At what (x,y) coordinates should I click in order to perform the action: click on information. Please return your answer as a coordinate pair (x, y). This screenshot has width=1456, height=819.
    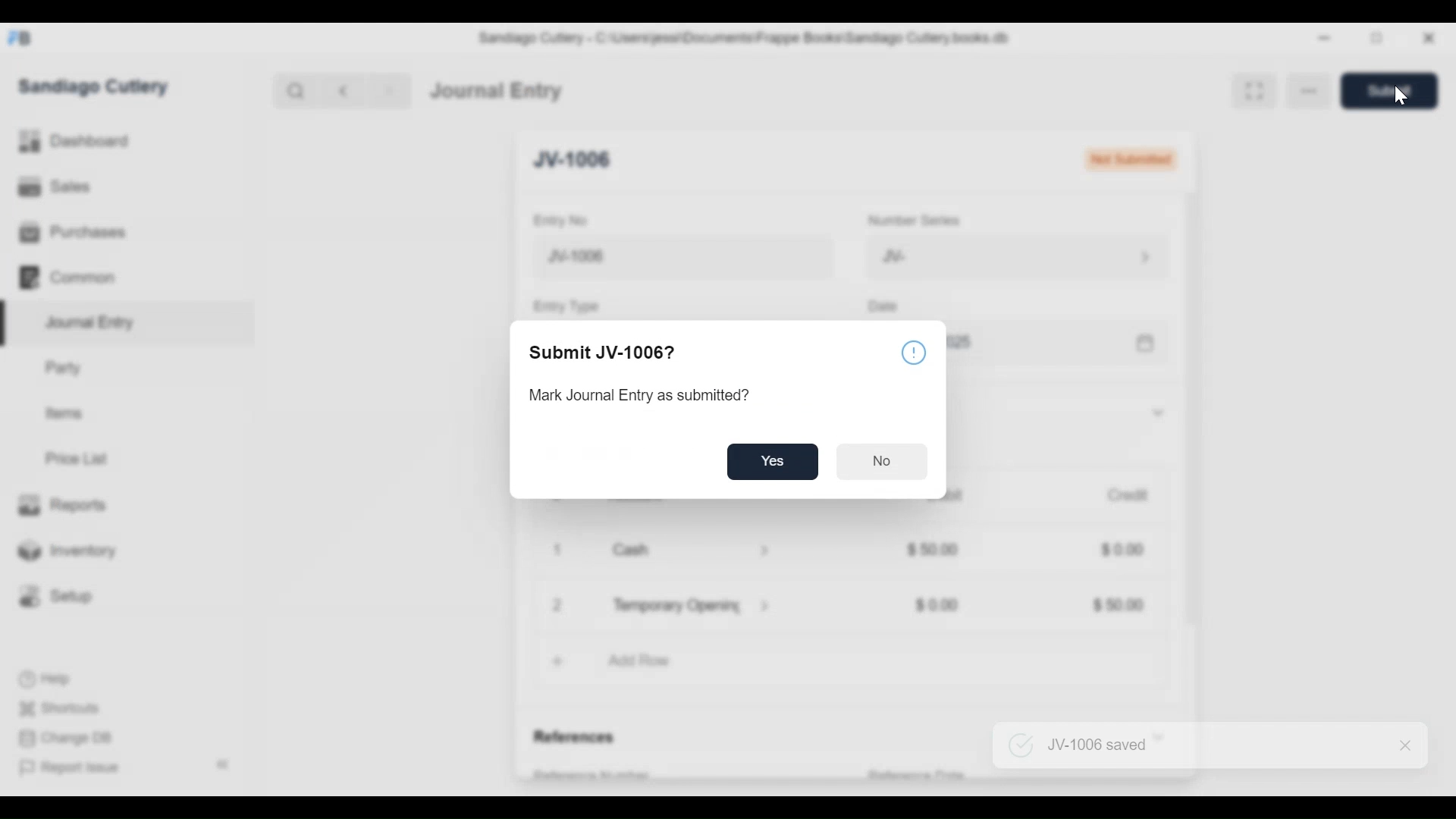
    Looking at the image, I should click on (915, 355).